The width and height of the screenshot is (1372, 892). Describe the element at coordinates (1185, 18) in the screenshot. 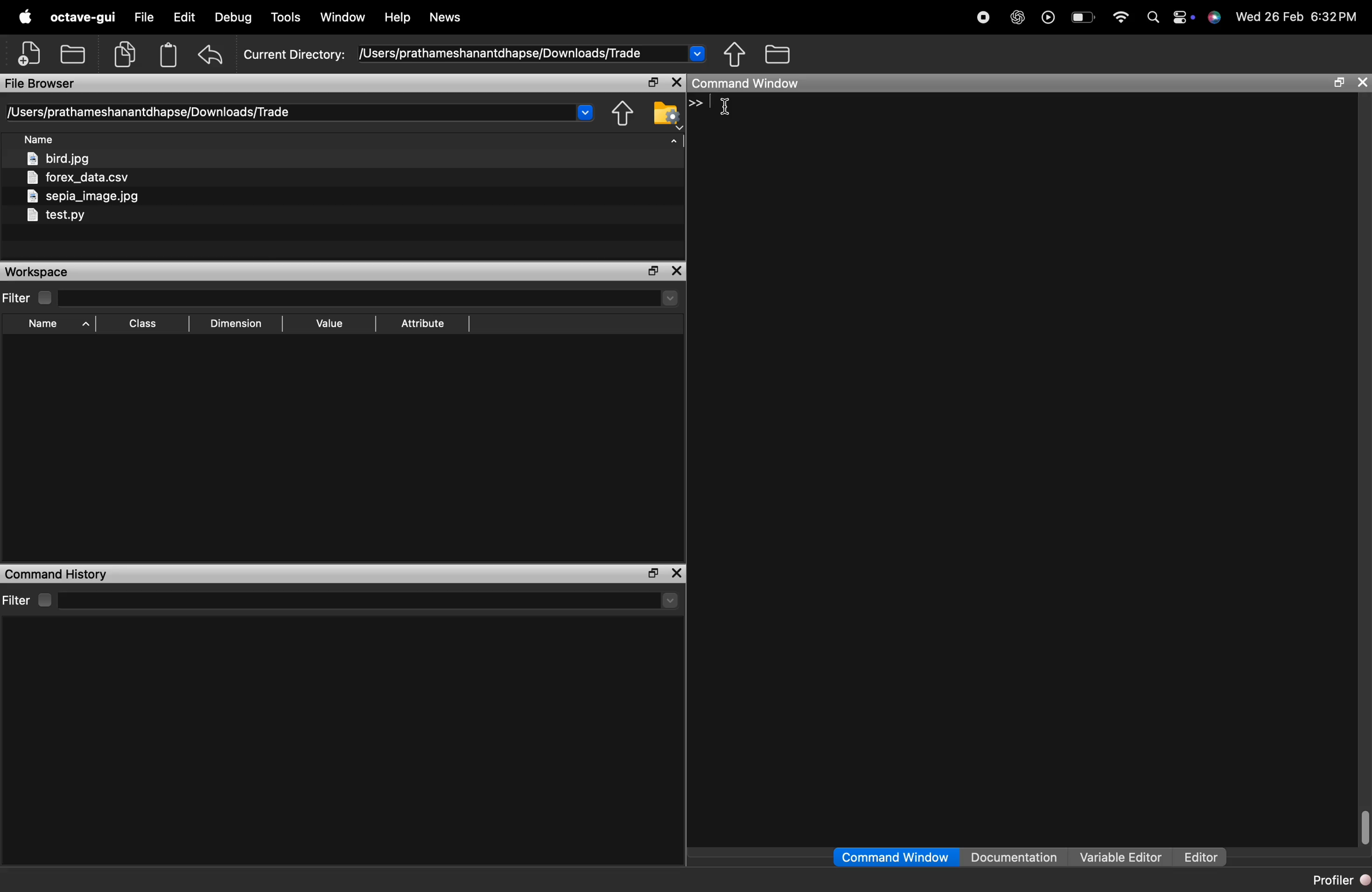

I see `action center` at that location.